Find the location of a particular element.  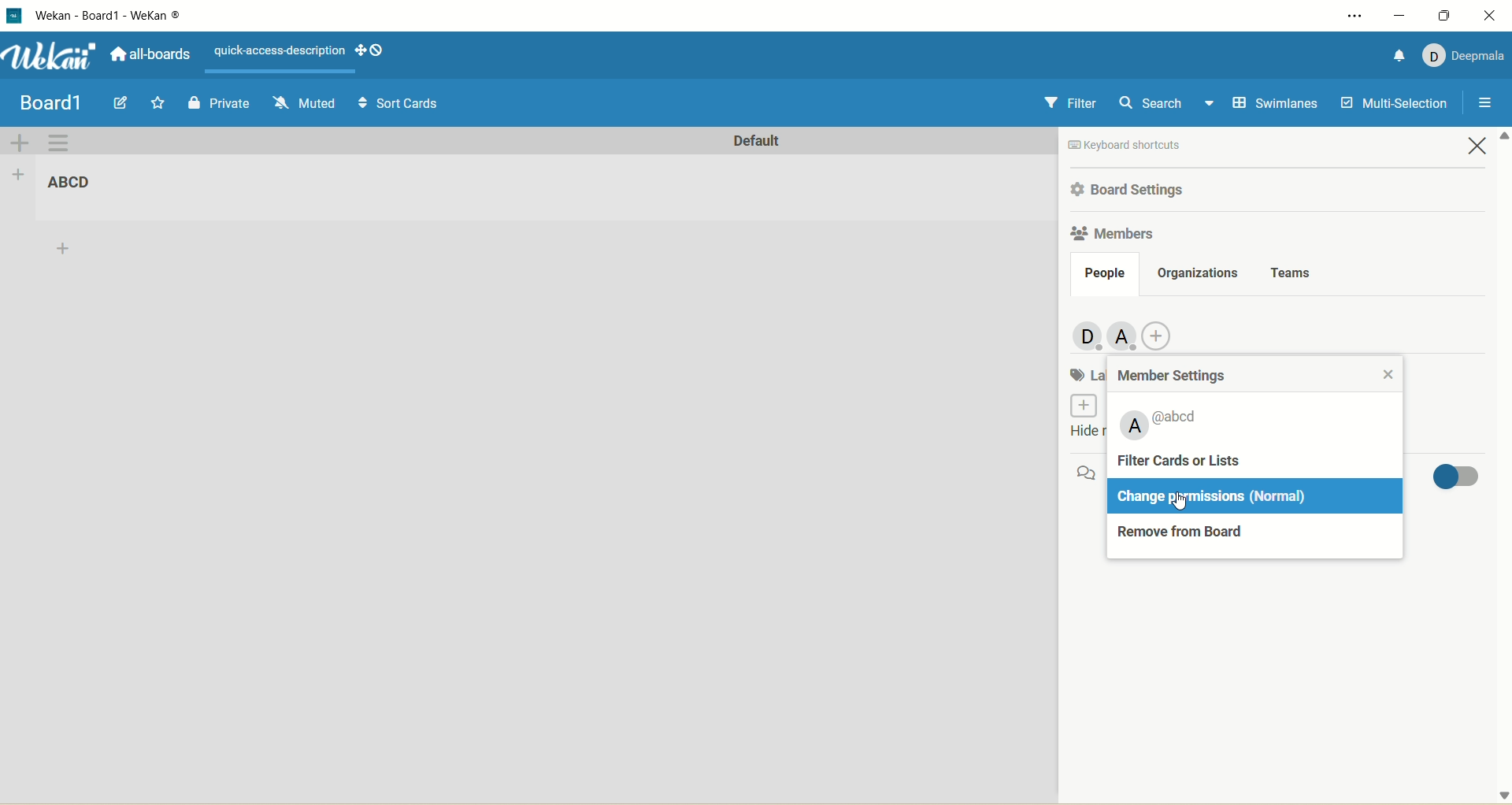

member settings is located at coordinates (1176, 376).